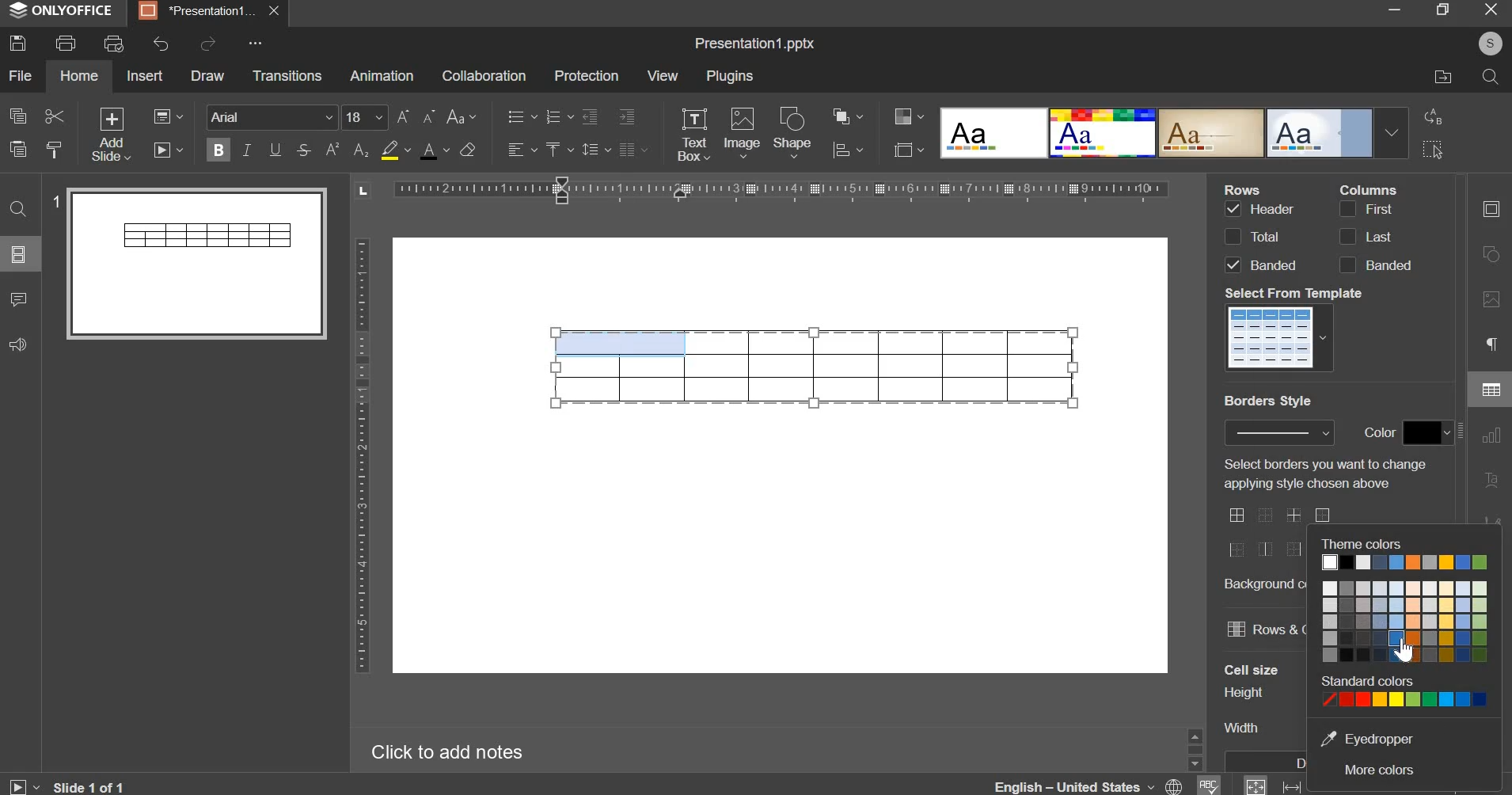  I want to click on Rows, so click(1246, 188).